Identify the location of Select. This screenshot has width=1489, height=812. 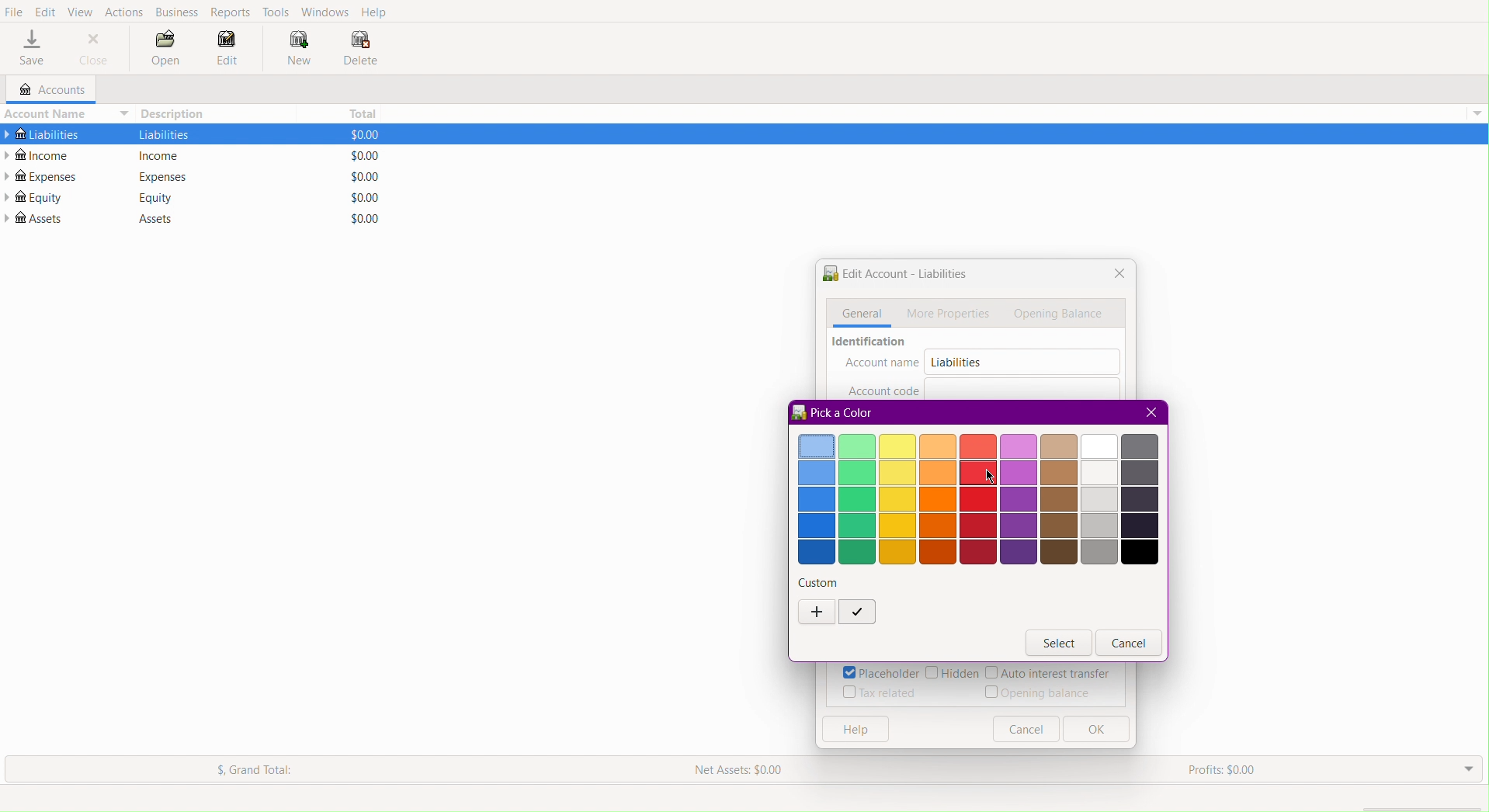
(1059, 644).